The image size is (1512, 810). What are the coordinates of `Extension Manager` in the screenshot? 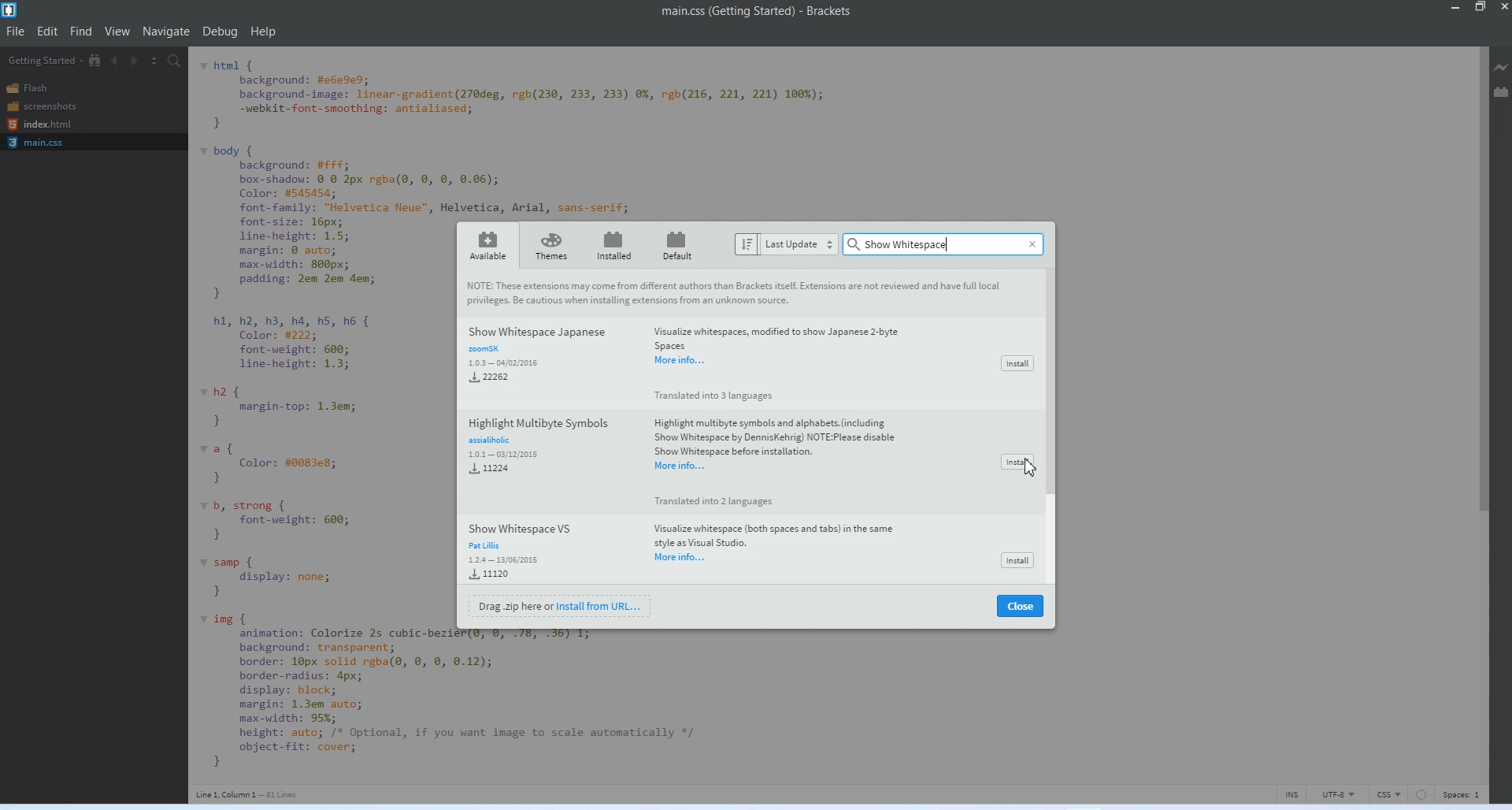 It's located at (1501, 98).